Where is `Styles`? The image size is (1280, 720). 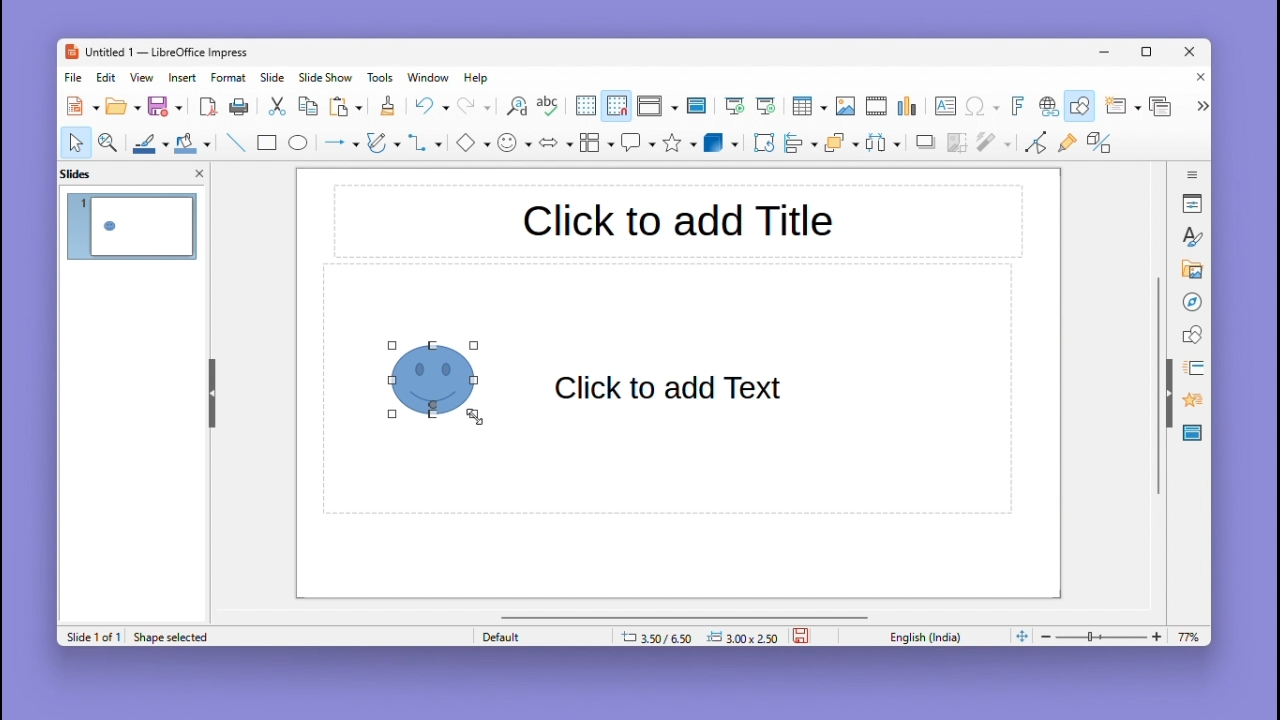
Styles is located at coordinates (1194, 236).